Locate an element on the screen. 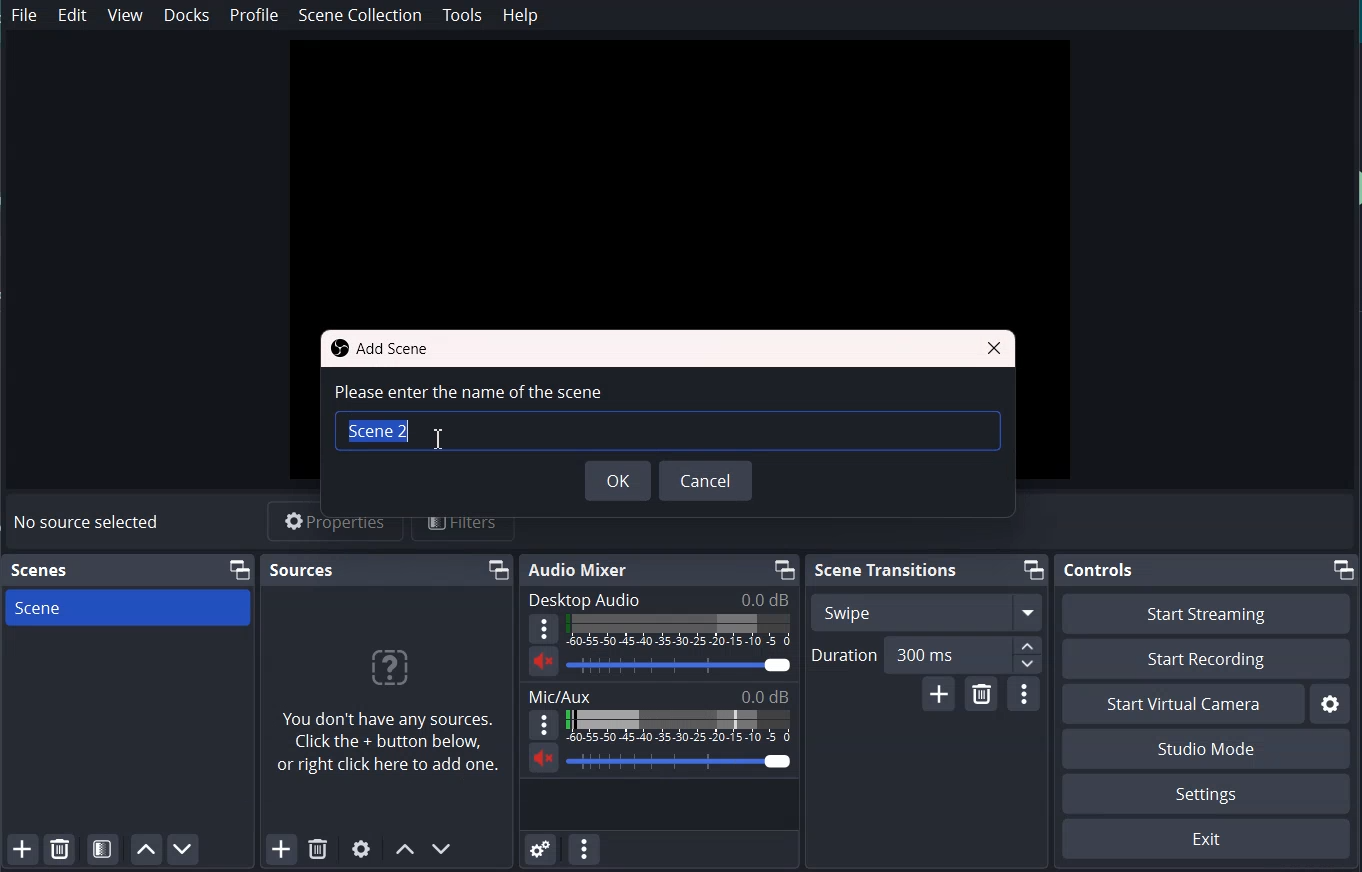  Maximize is located at coordinates (239, 570).